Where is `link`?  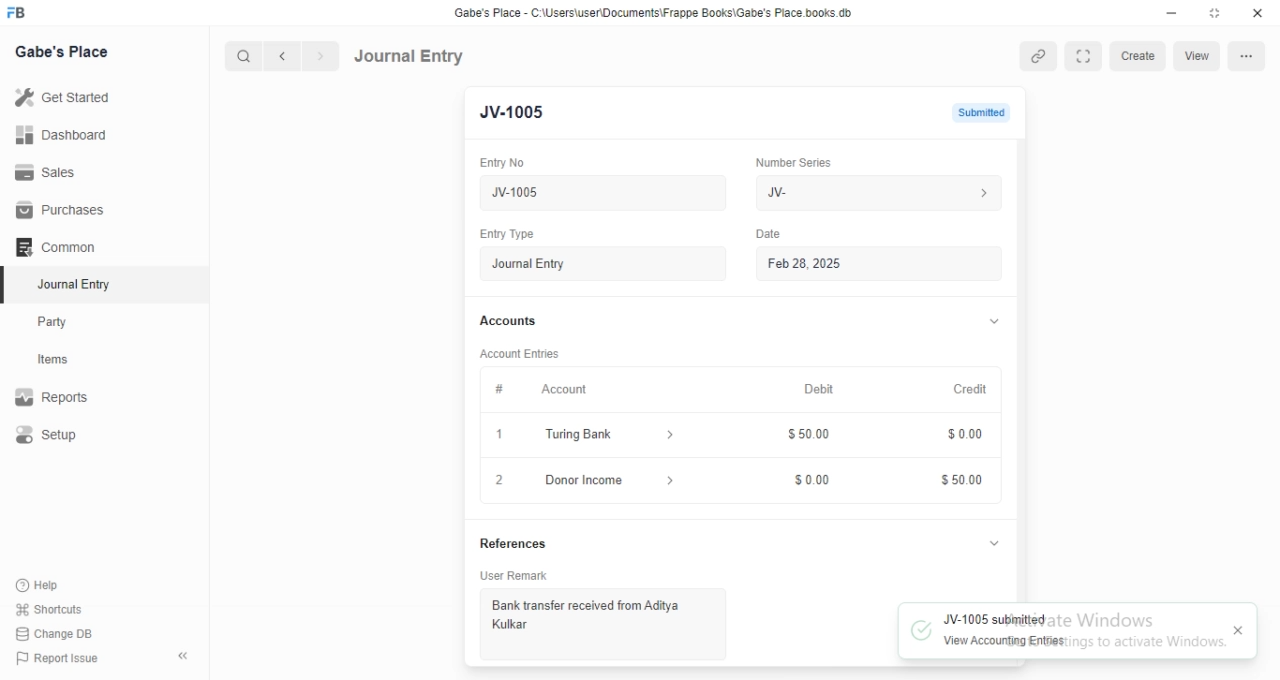
link is located at coordinates (1039, 56).